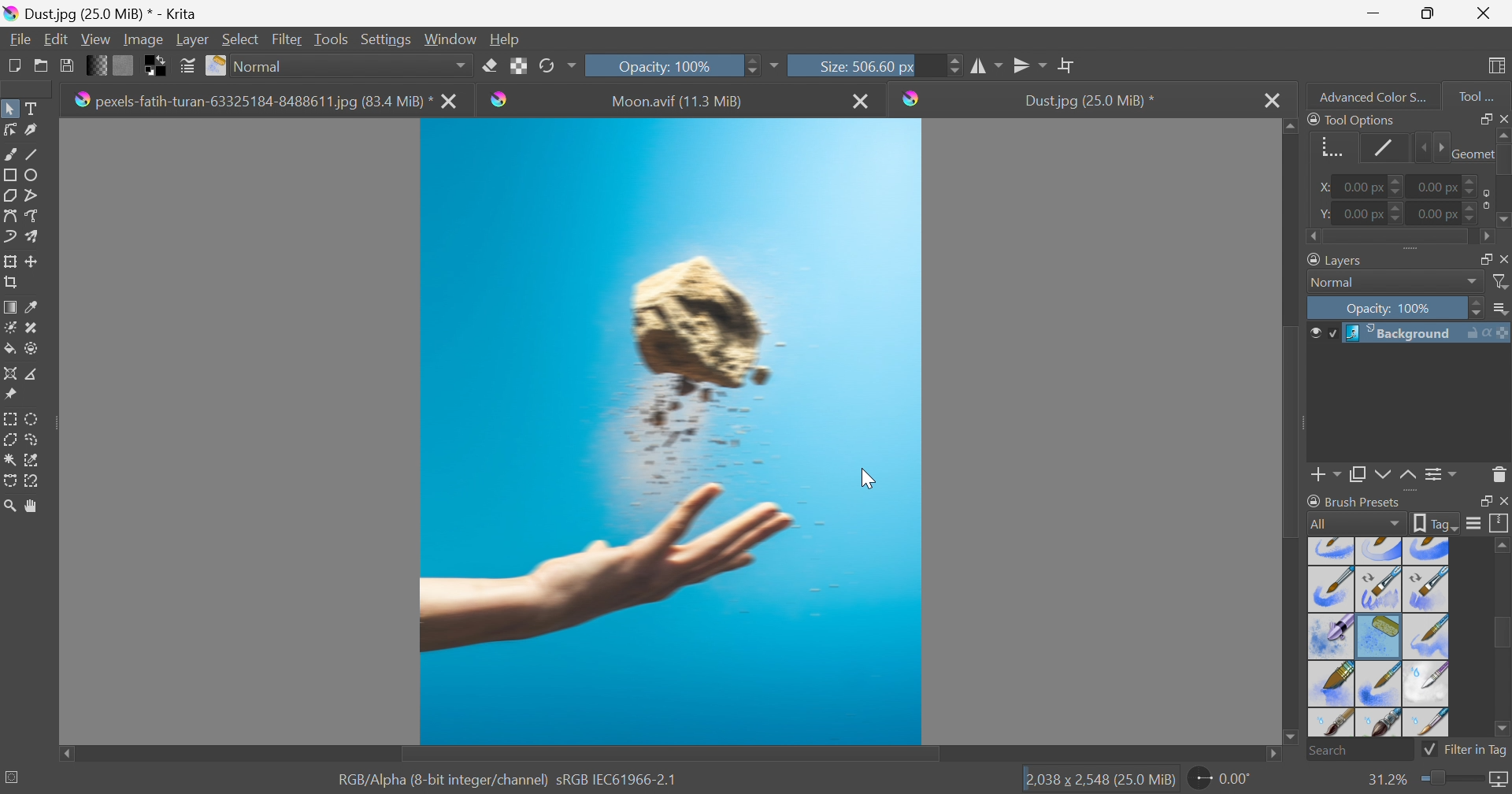 This screenshot has width=1512, height=794. What do you see at coordinates (1473, 523) in the screenshot?
I see `Display settings` at bounding box center [1473, 523].